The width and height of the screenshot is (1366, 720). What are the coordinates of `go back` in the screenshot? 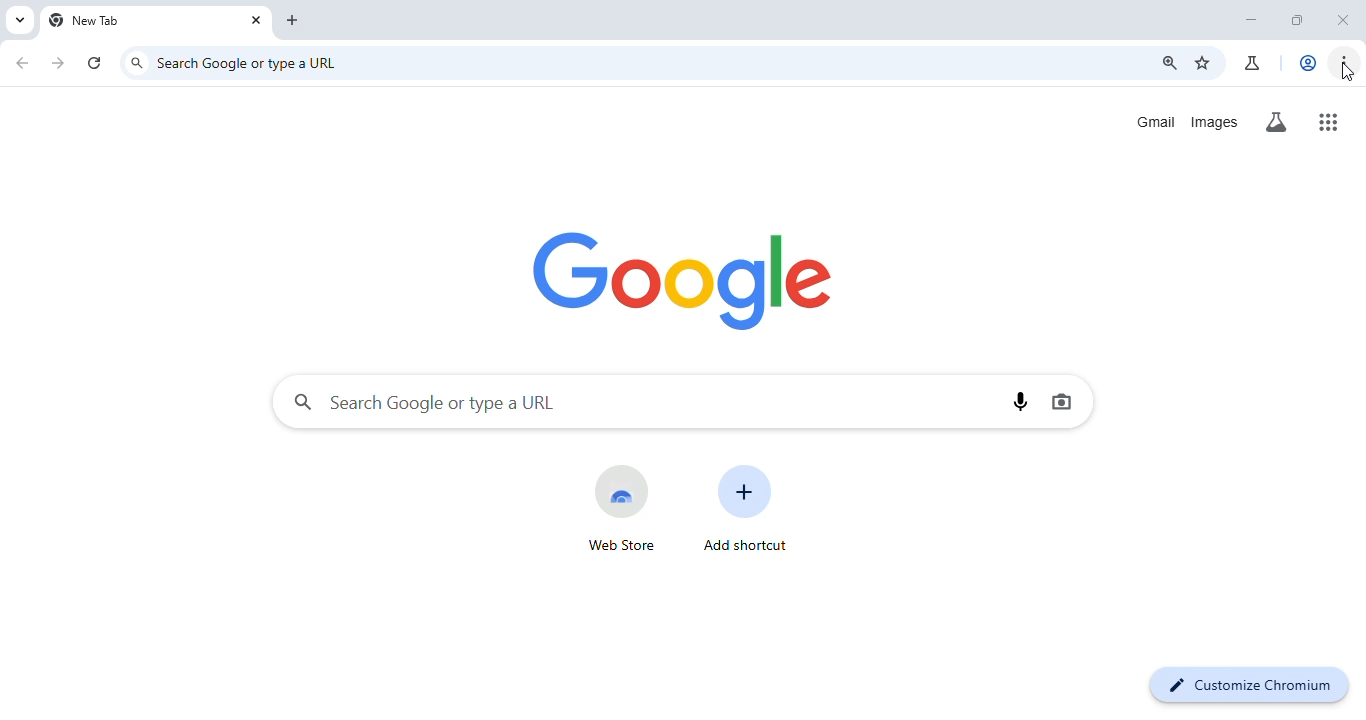 It's located at (22, 61).